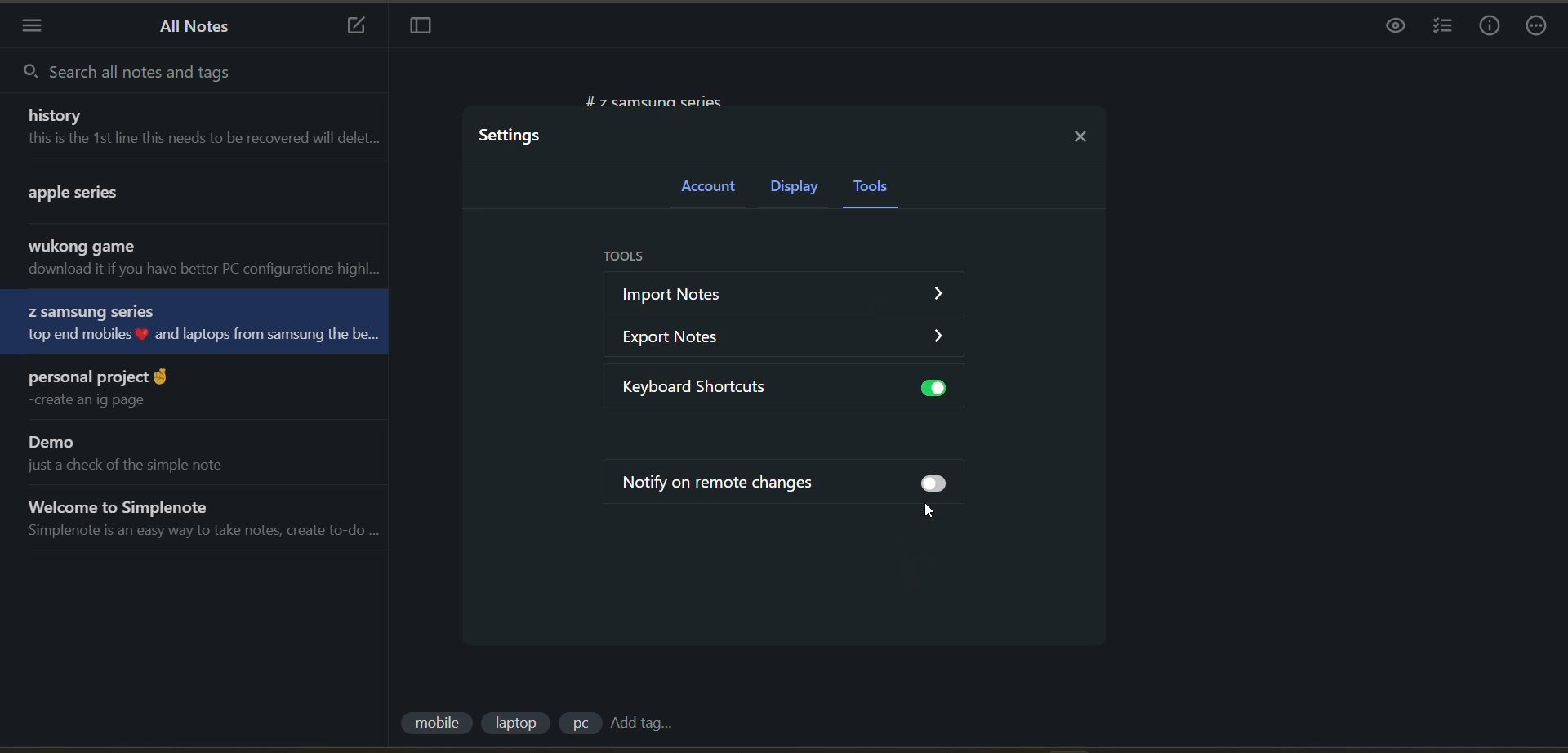  What do you see at coordinates (936, 388) in the screenshot?
I see `toggle off` at bounding box center [936, 388].